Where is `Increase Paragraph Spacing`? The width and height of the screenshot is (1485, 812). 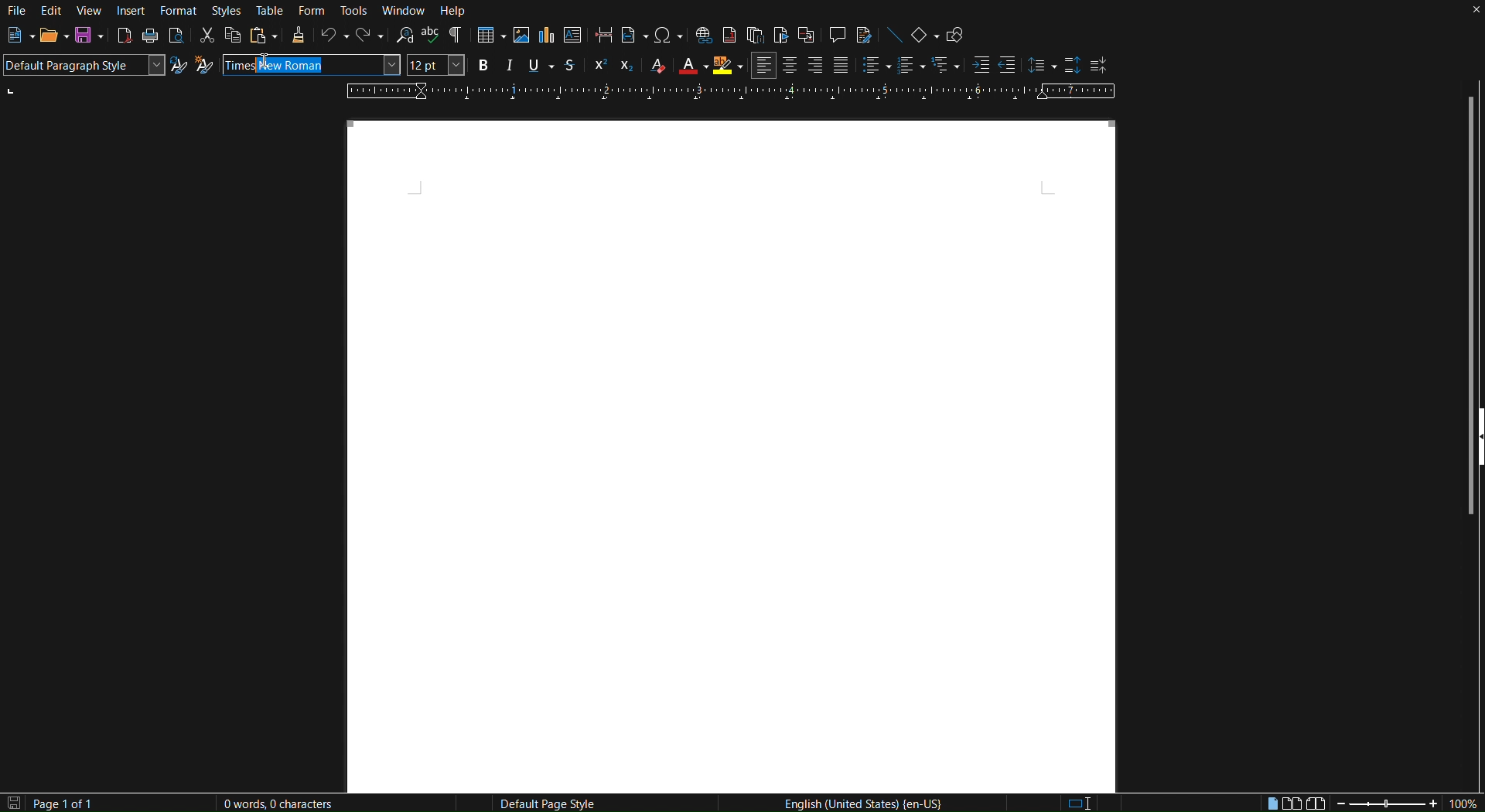 Increase Paragraph Spacing is located at coordinates (1074, 67).